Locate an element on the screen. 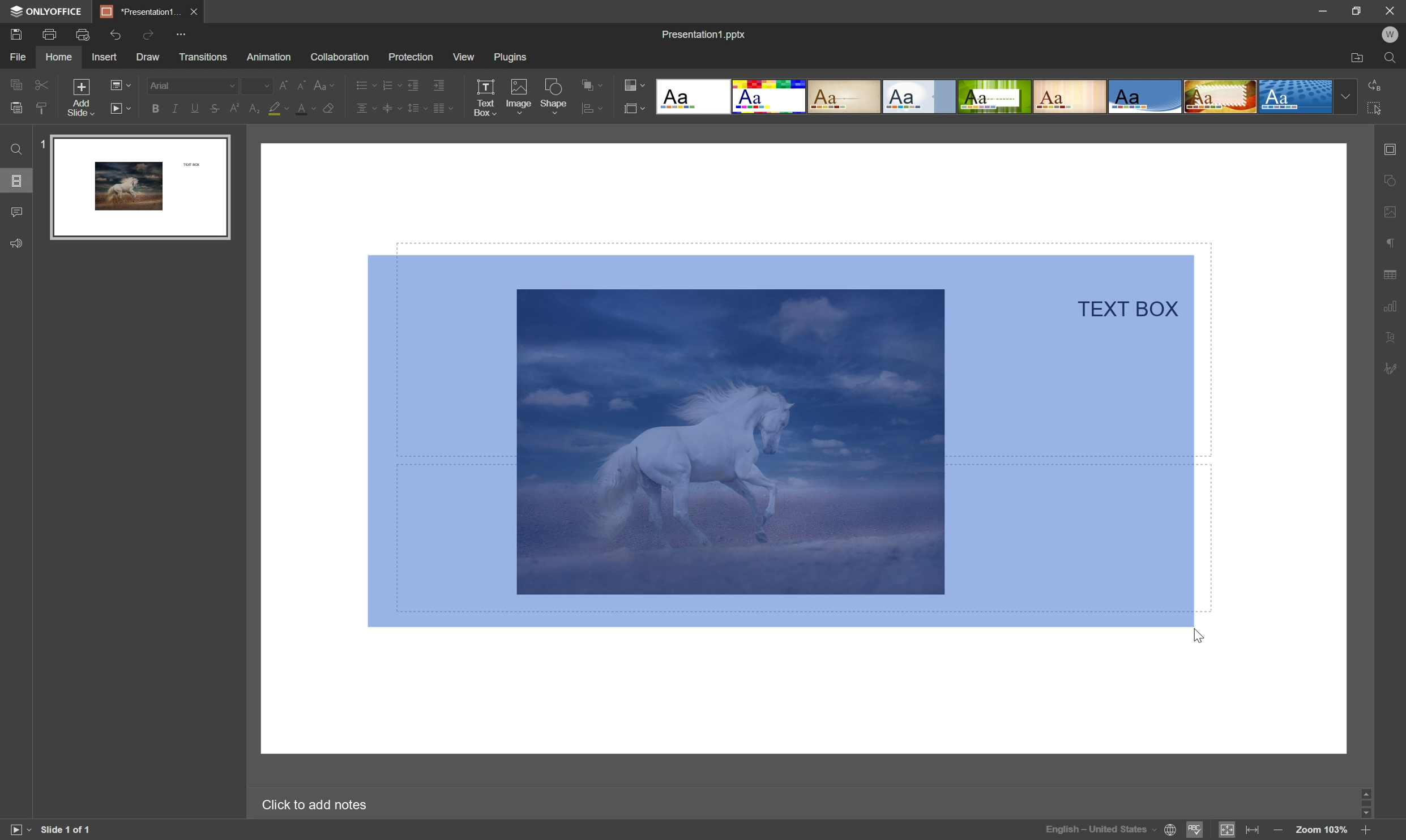  Official is located at coordinates (919, 98).